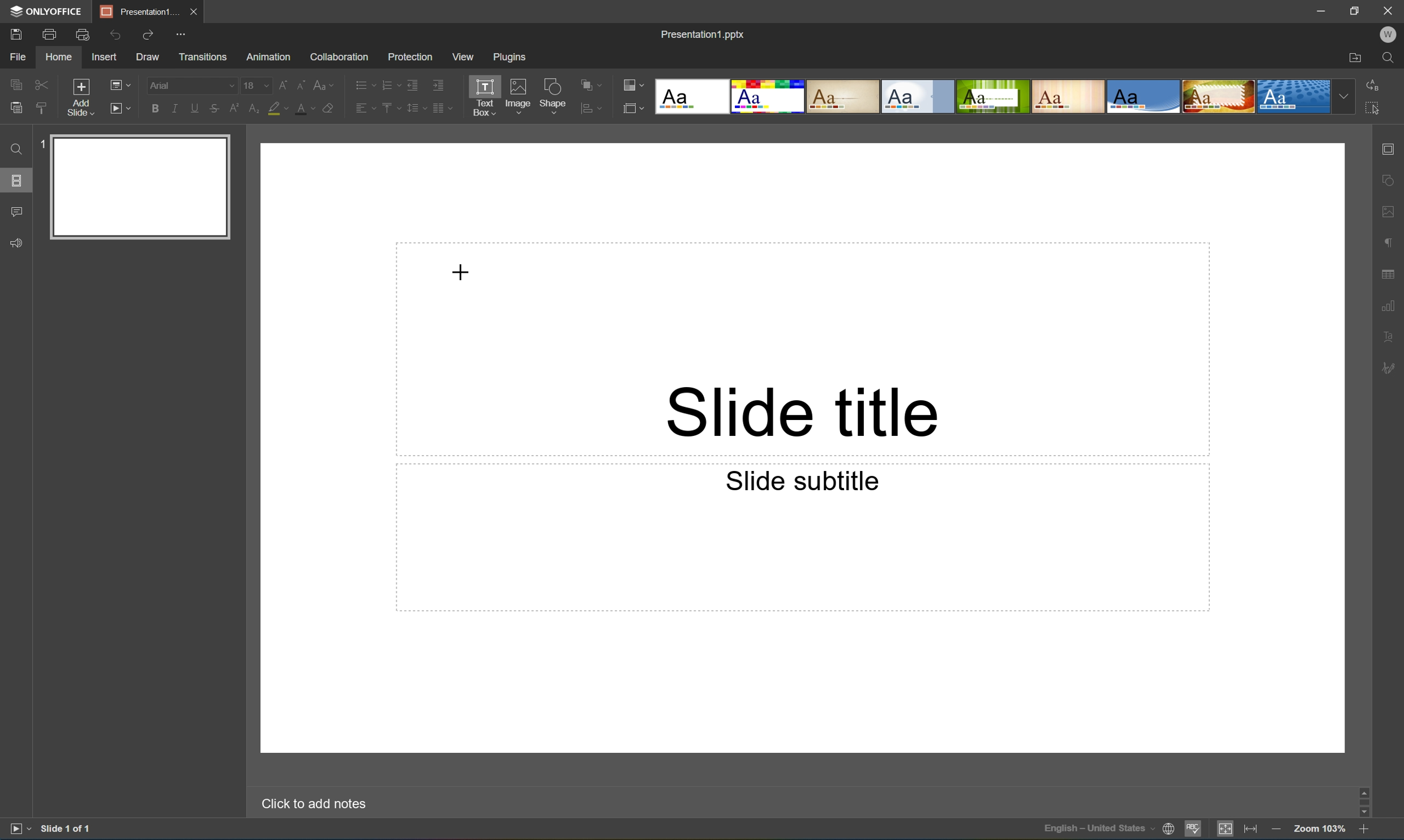 The width and height of the screenshot is (1404, 840). What do you see at coordinates (41, 108) in the screenshot?
I see `Copy style` at bounding box center [41, 108].